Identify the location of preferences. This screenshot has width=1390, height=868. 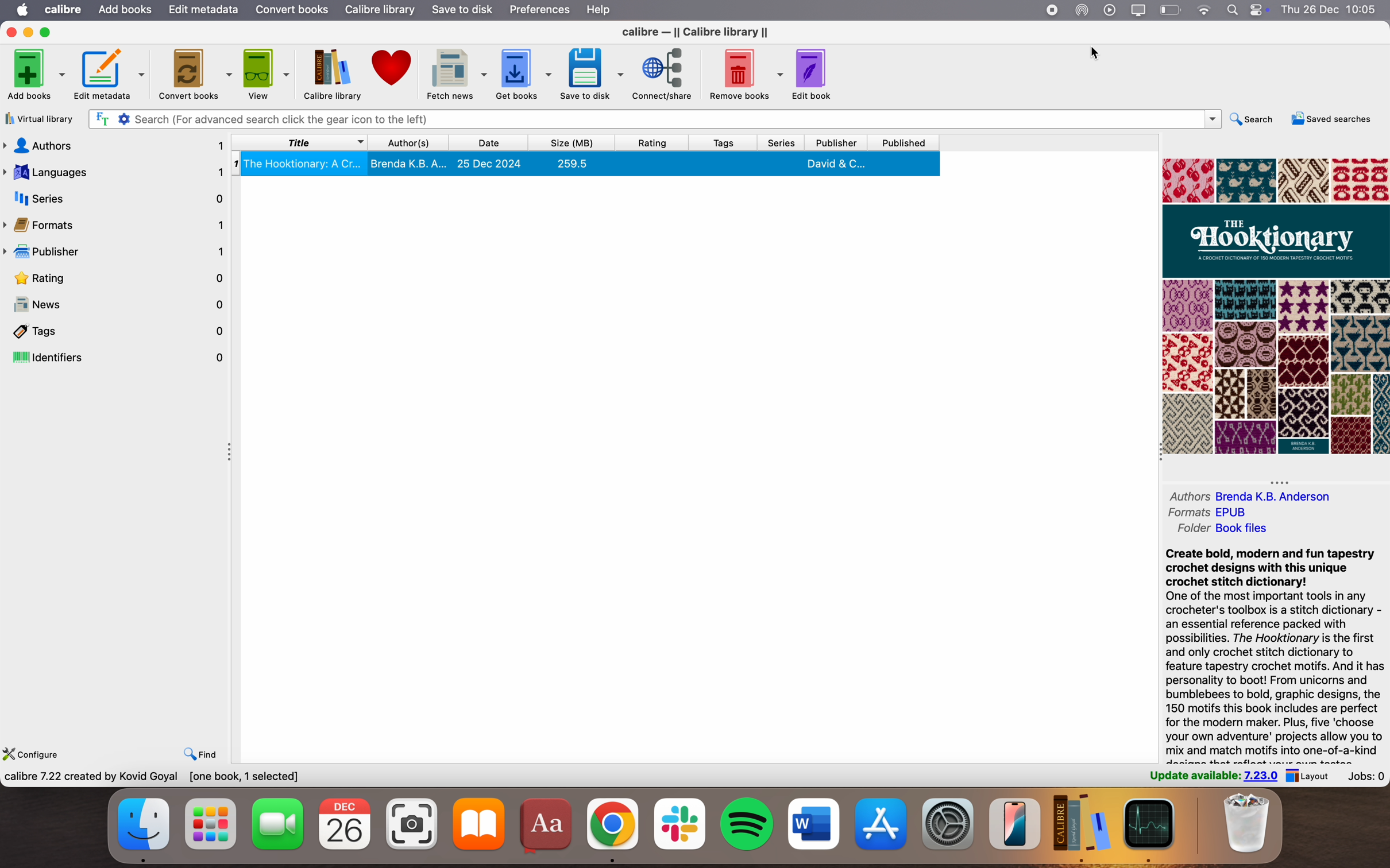
(539, 10).